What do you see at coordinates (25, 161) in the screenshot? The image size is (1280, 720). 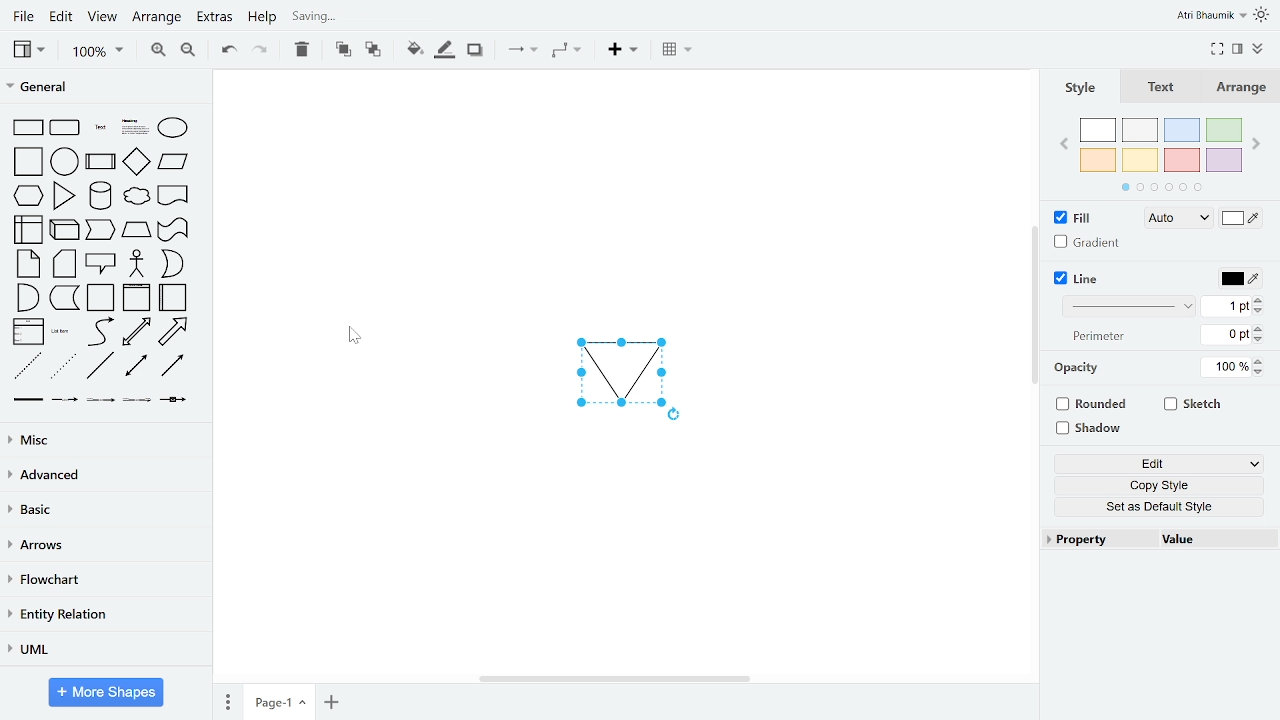 I see `square` at bounding box center [25, 161].